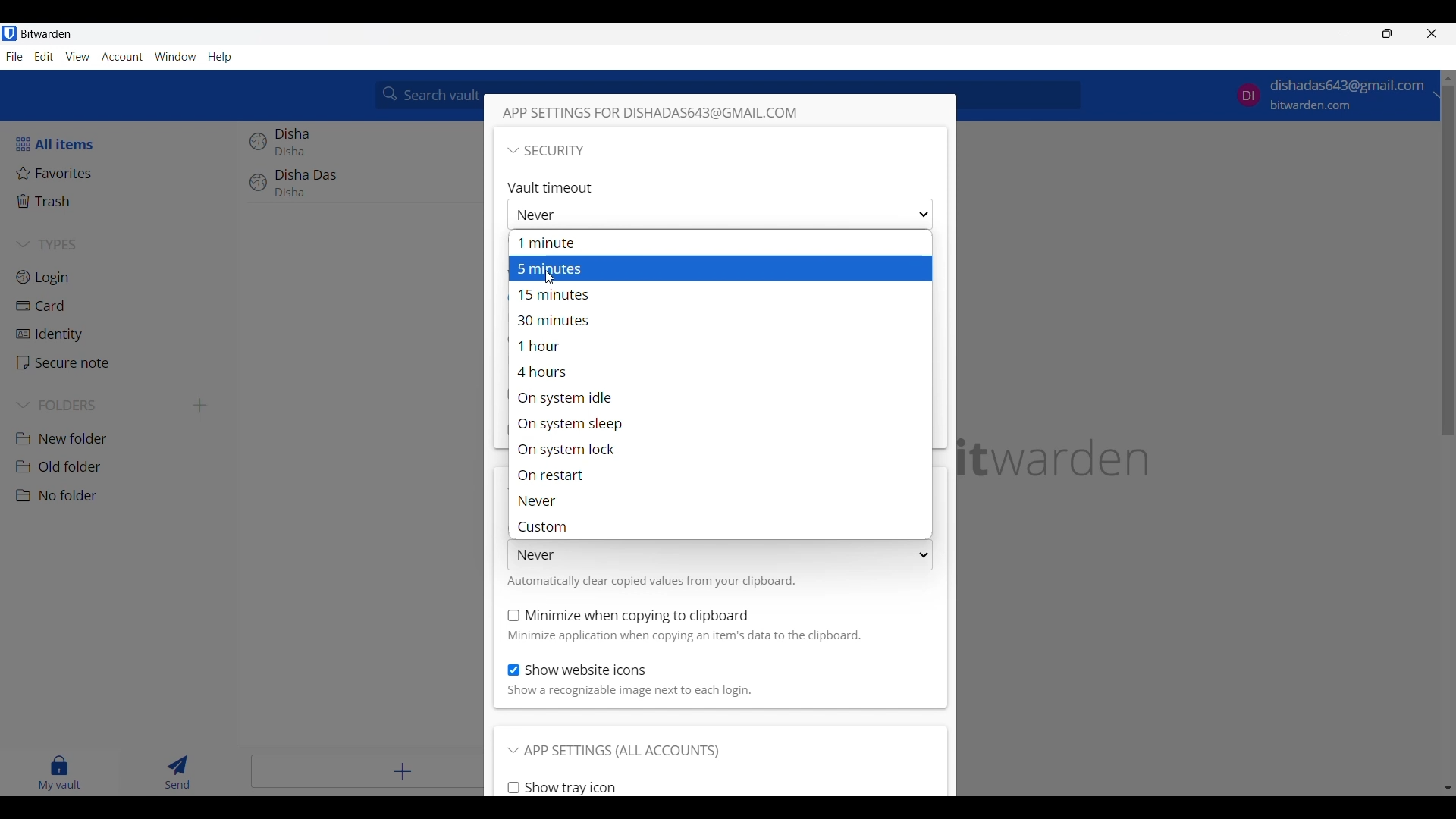 This screenshot has width=1456, height=819. I want to click on Vault timeout, so click(554, 187).